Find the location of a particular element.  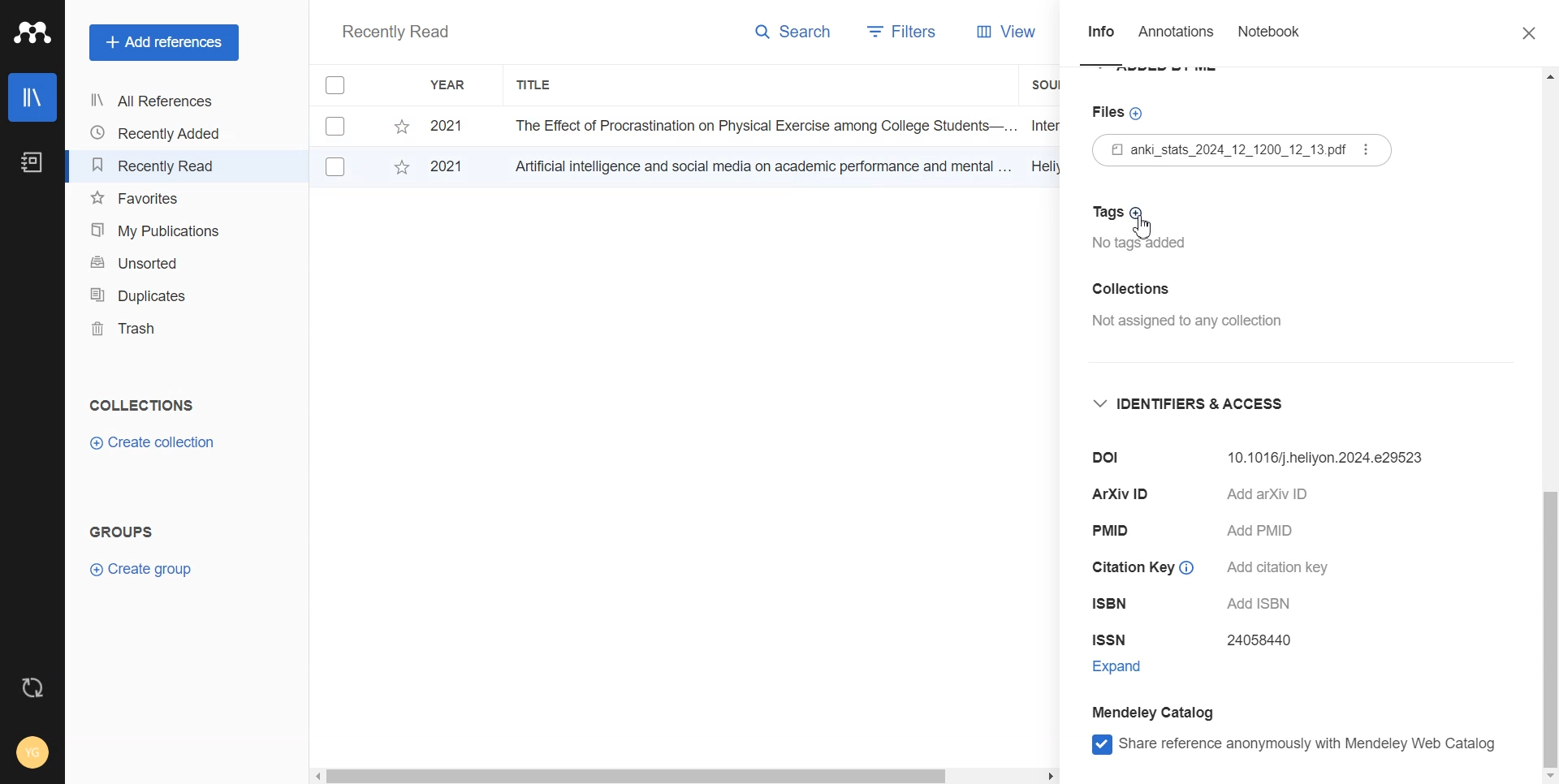

View is located at coordinates (992, 32).